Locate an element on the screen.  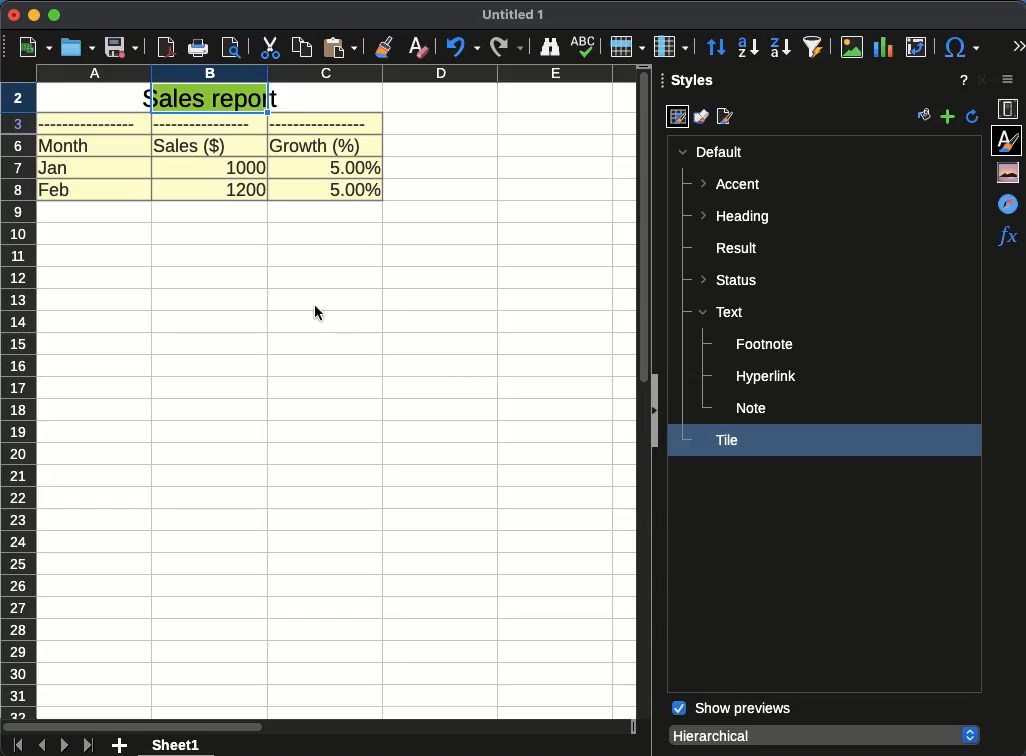
pdf viewer is located at coordinates (166, 48).